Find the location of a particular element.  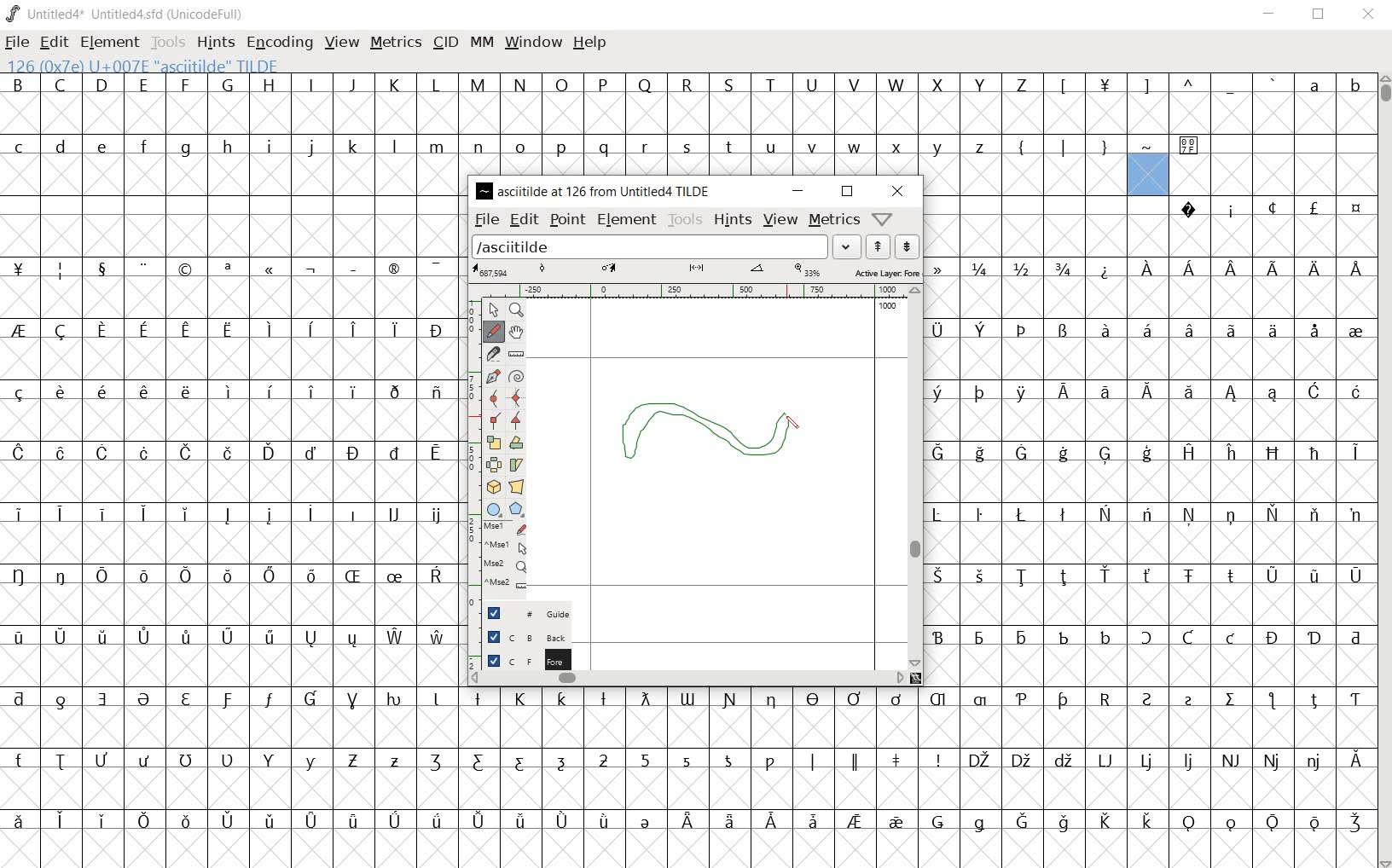

change whether spiro is active or not is located at coordinates (516, 375).